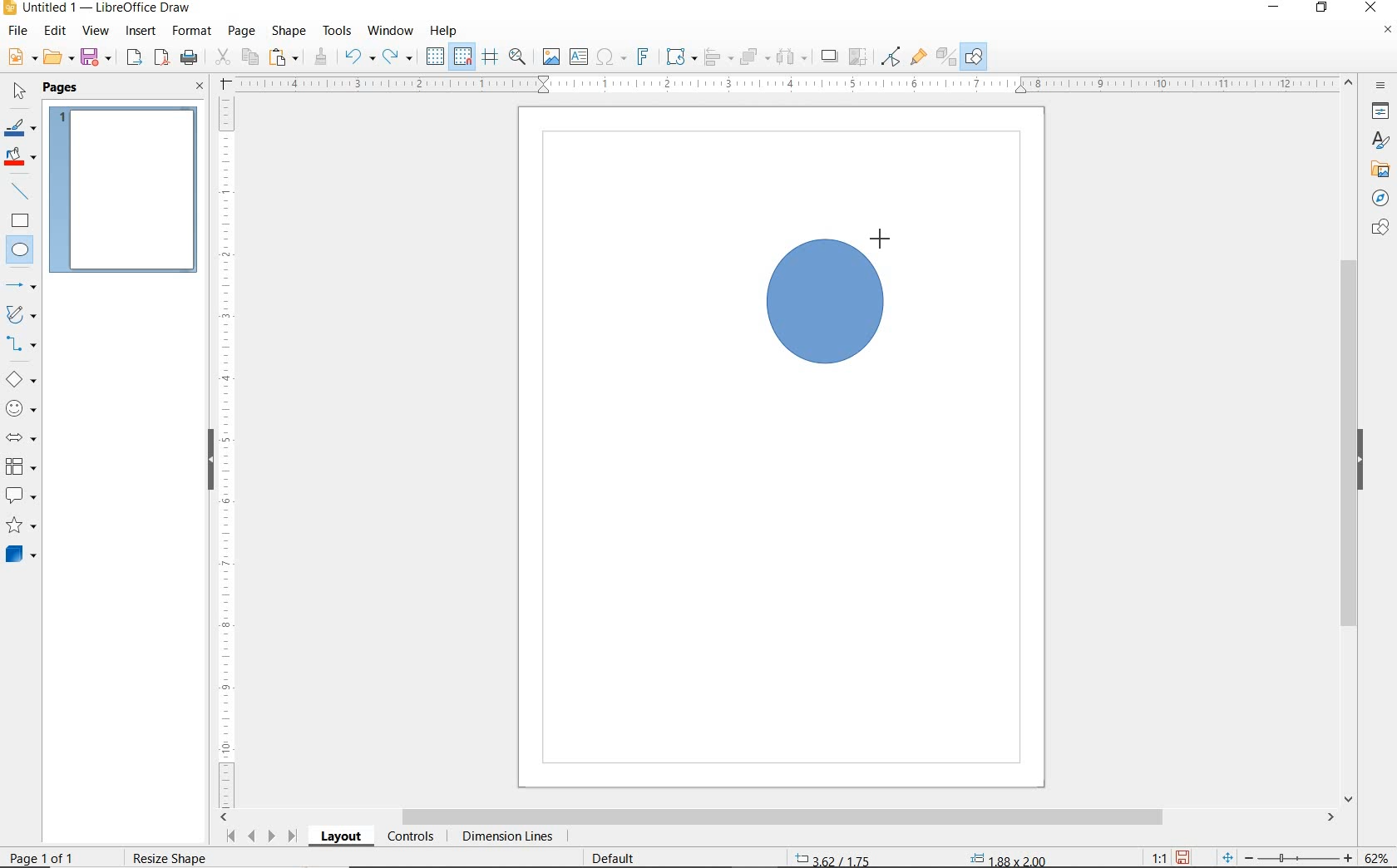 The height and width of the screenshot is (868, 1397). I want to click on SAVE, so click(1185, 856).